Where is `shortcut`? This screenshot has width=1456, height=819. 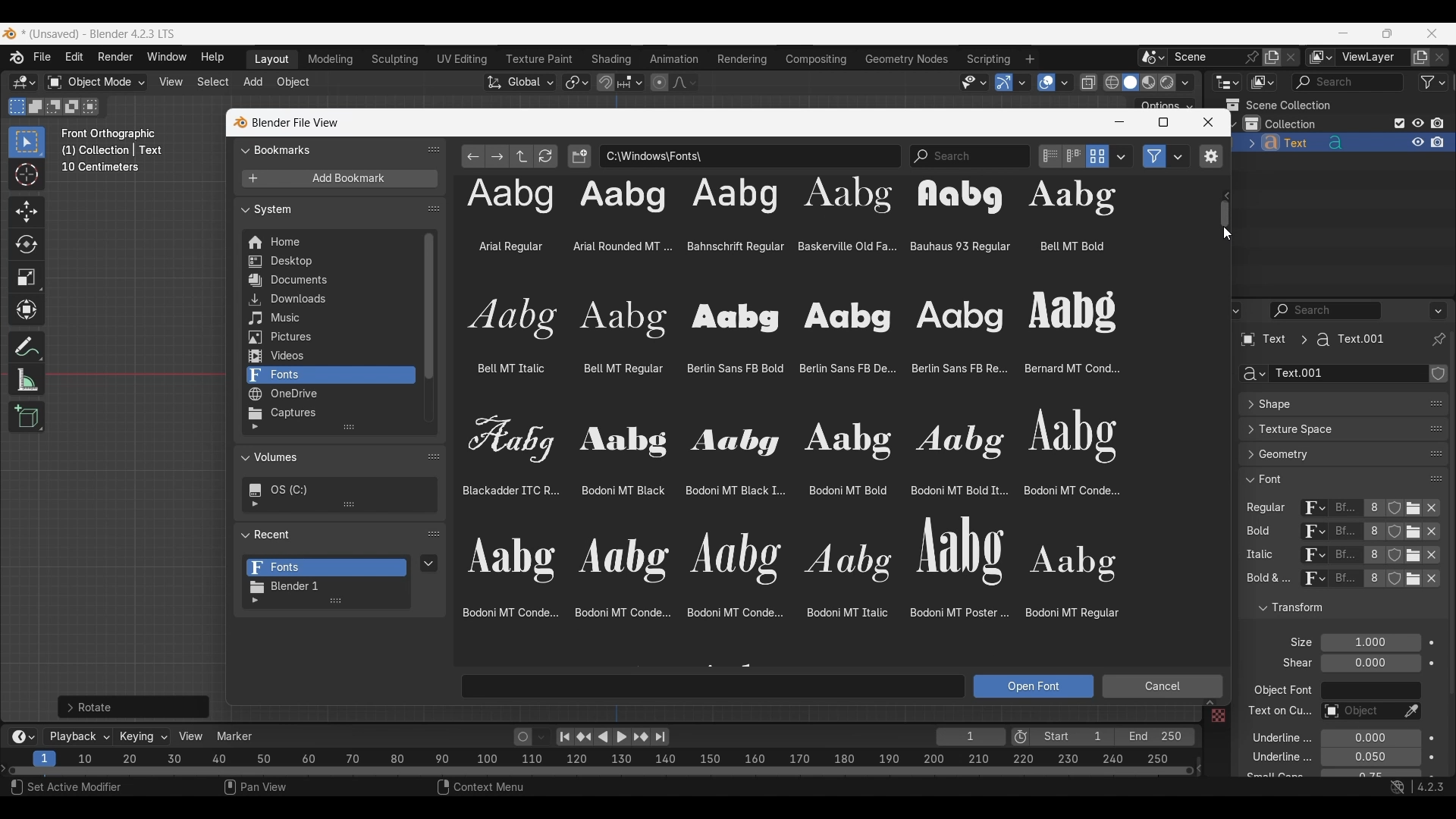 shortcut is located at coordinates (1414, 789).